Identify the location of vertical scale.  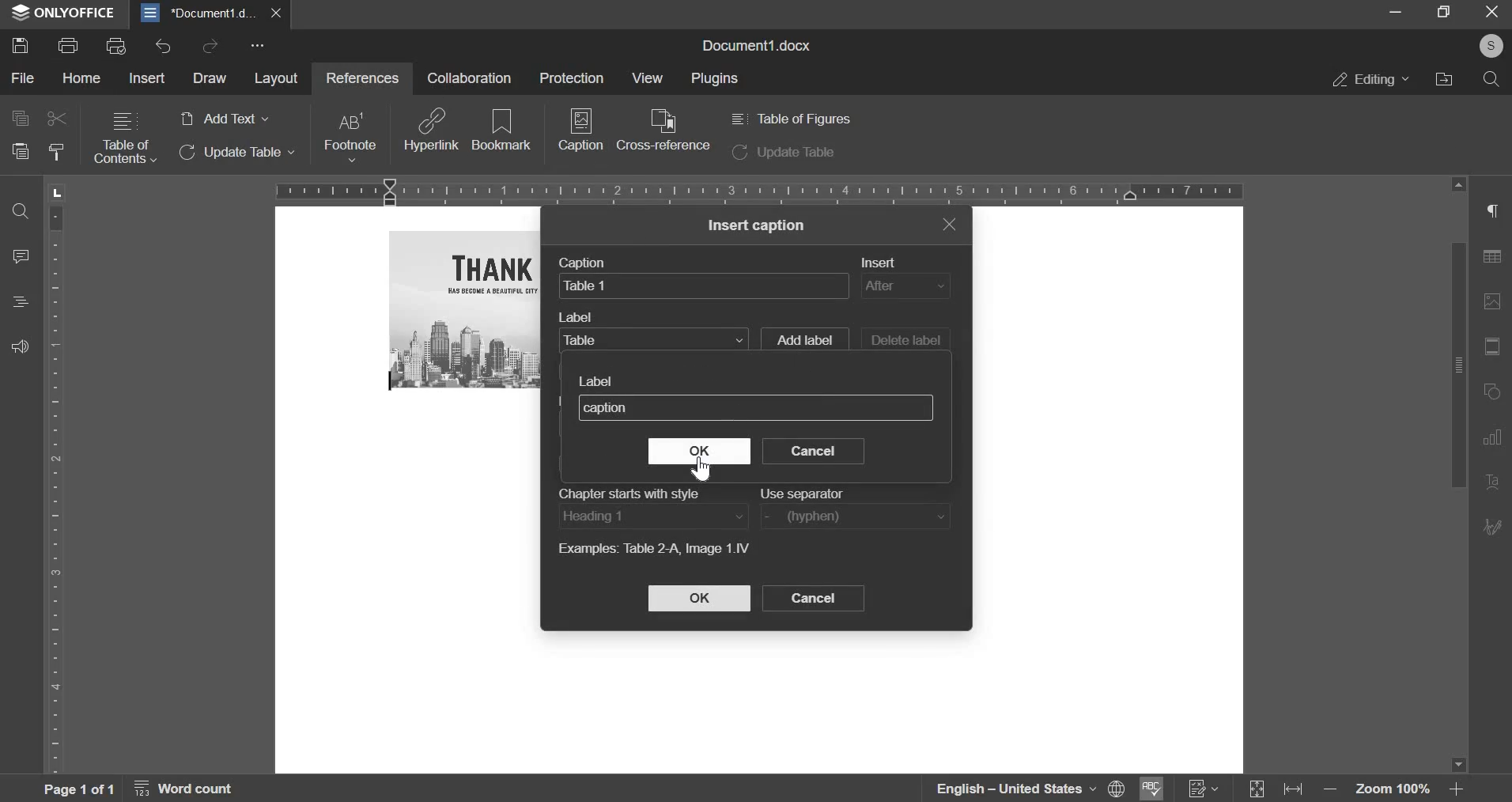
(57, 487).